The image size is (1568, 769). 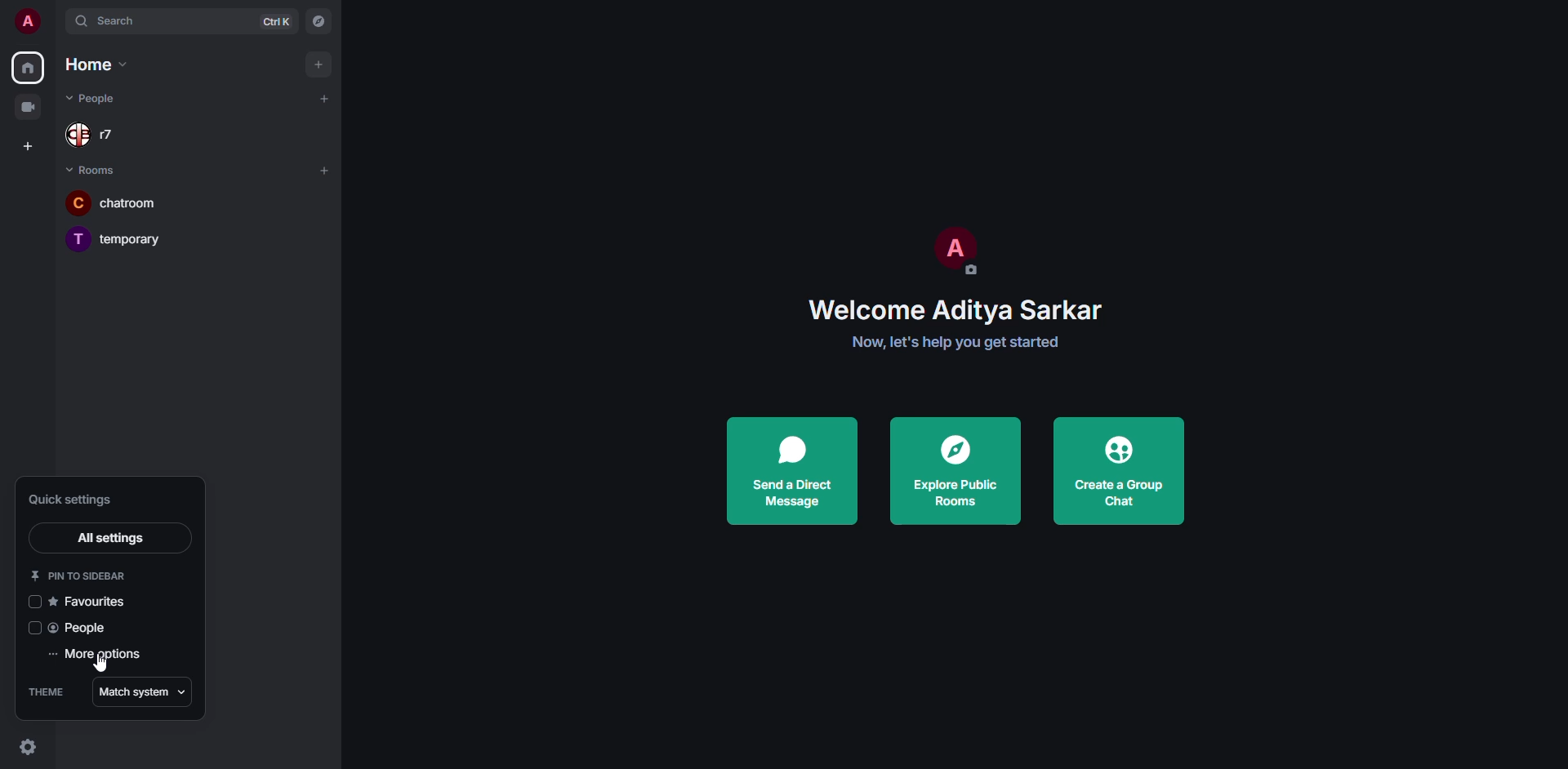 What do you see at coordinates (792, 473) in the screenshot?
I see `send a direct message` at bounding box center [792, 473].